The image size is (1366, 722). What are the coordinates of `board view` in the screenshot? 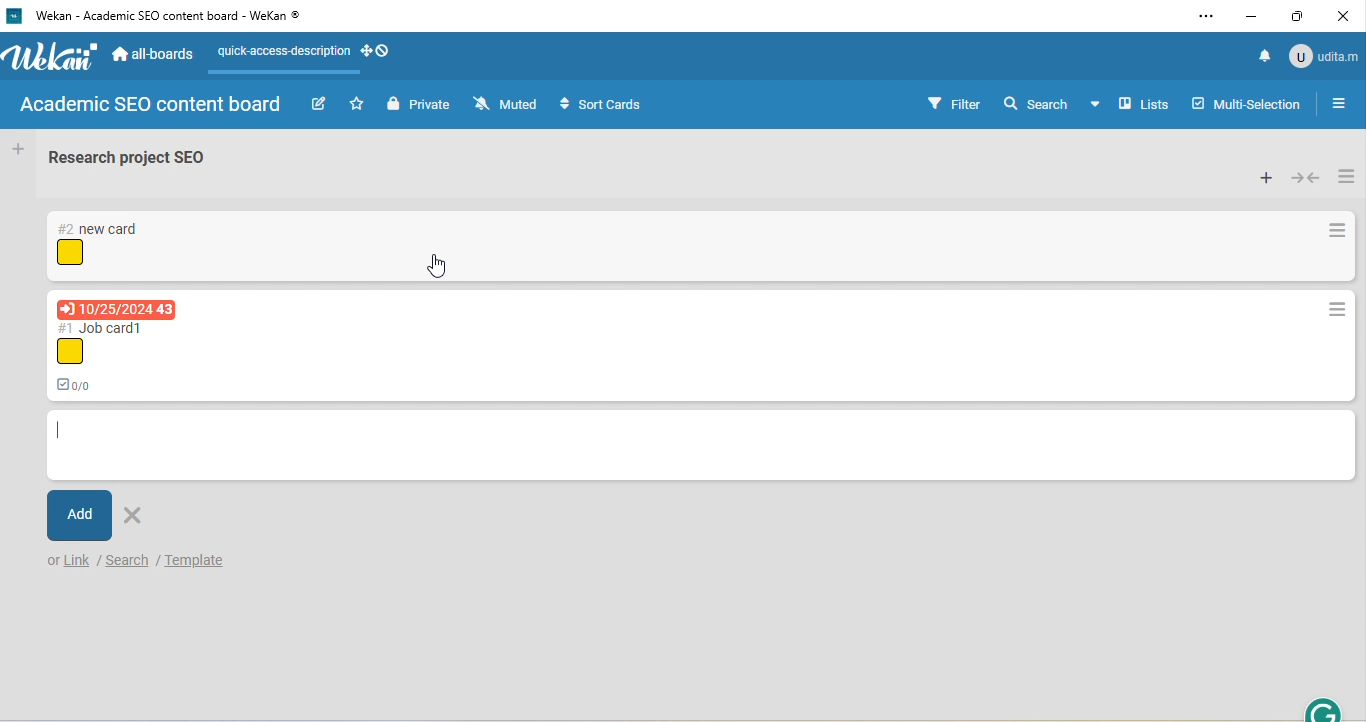 It's located at (1131, 104).